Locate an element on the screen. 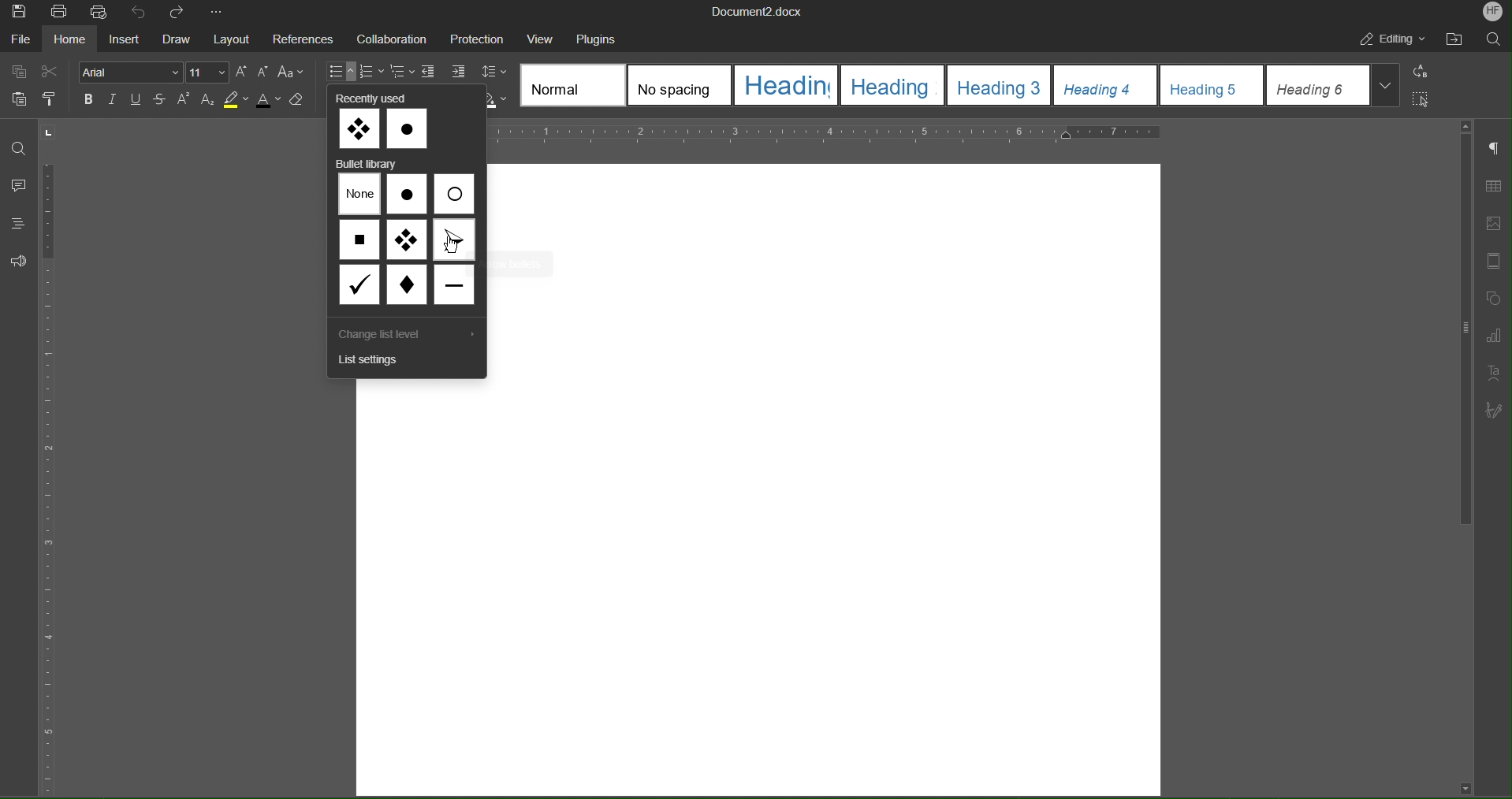  Print is located at coordinates (60, 14).